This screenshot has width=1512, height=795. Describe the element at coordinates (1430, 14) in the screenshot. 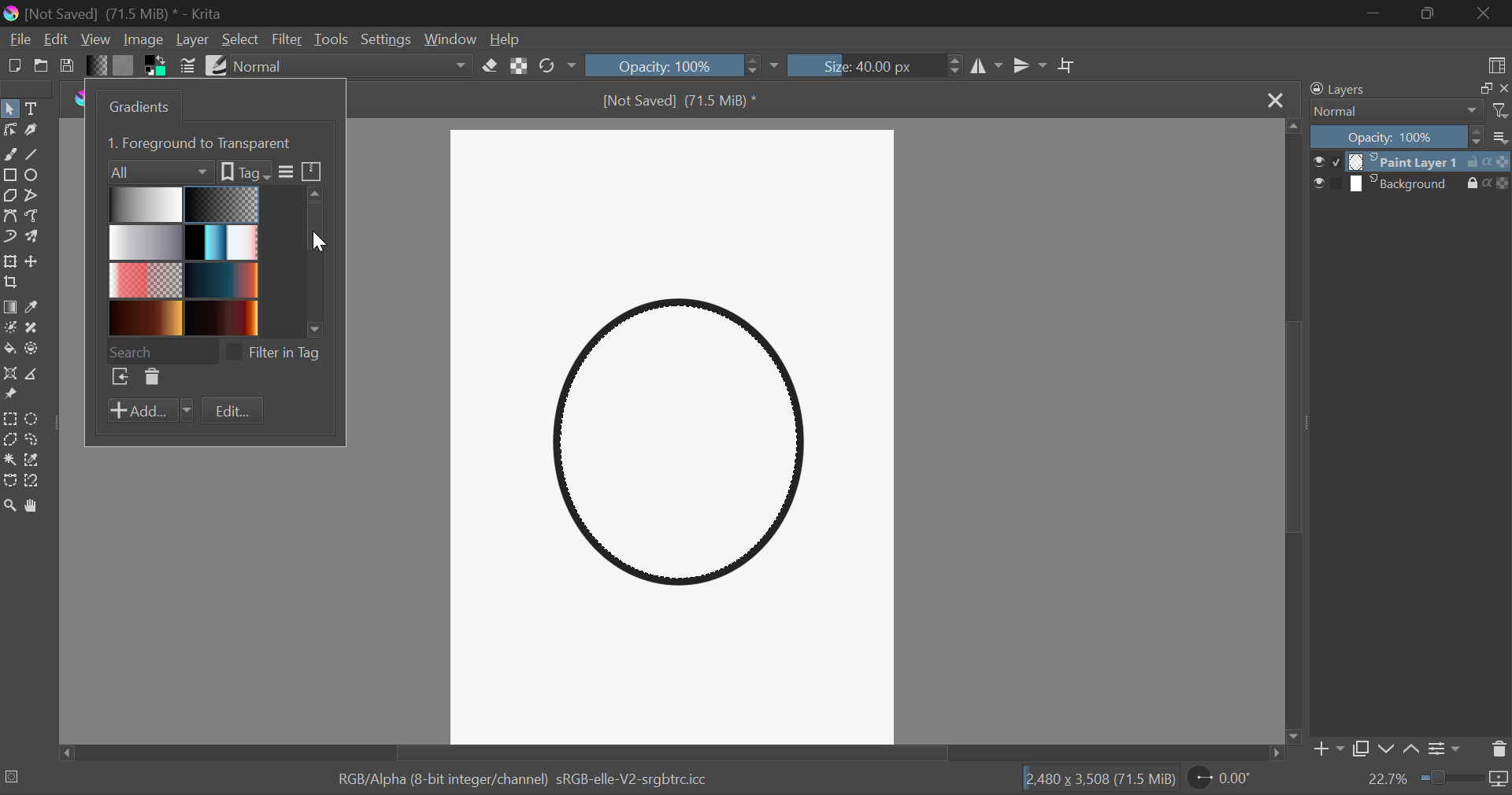

I see `Minimize` at that location.